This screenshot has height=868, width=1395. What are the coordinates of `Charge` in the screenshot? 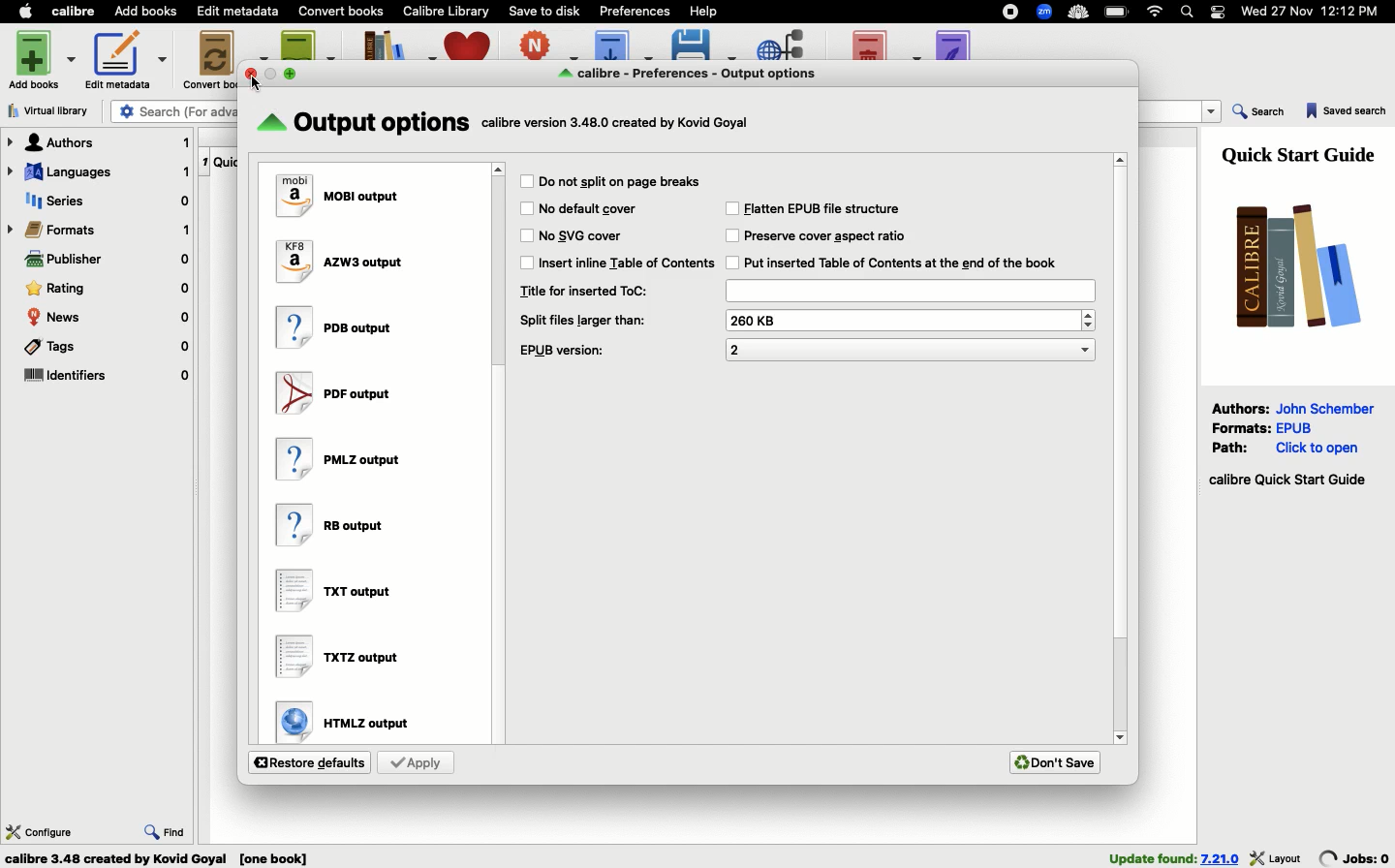 It's located at (1118, 13).